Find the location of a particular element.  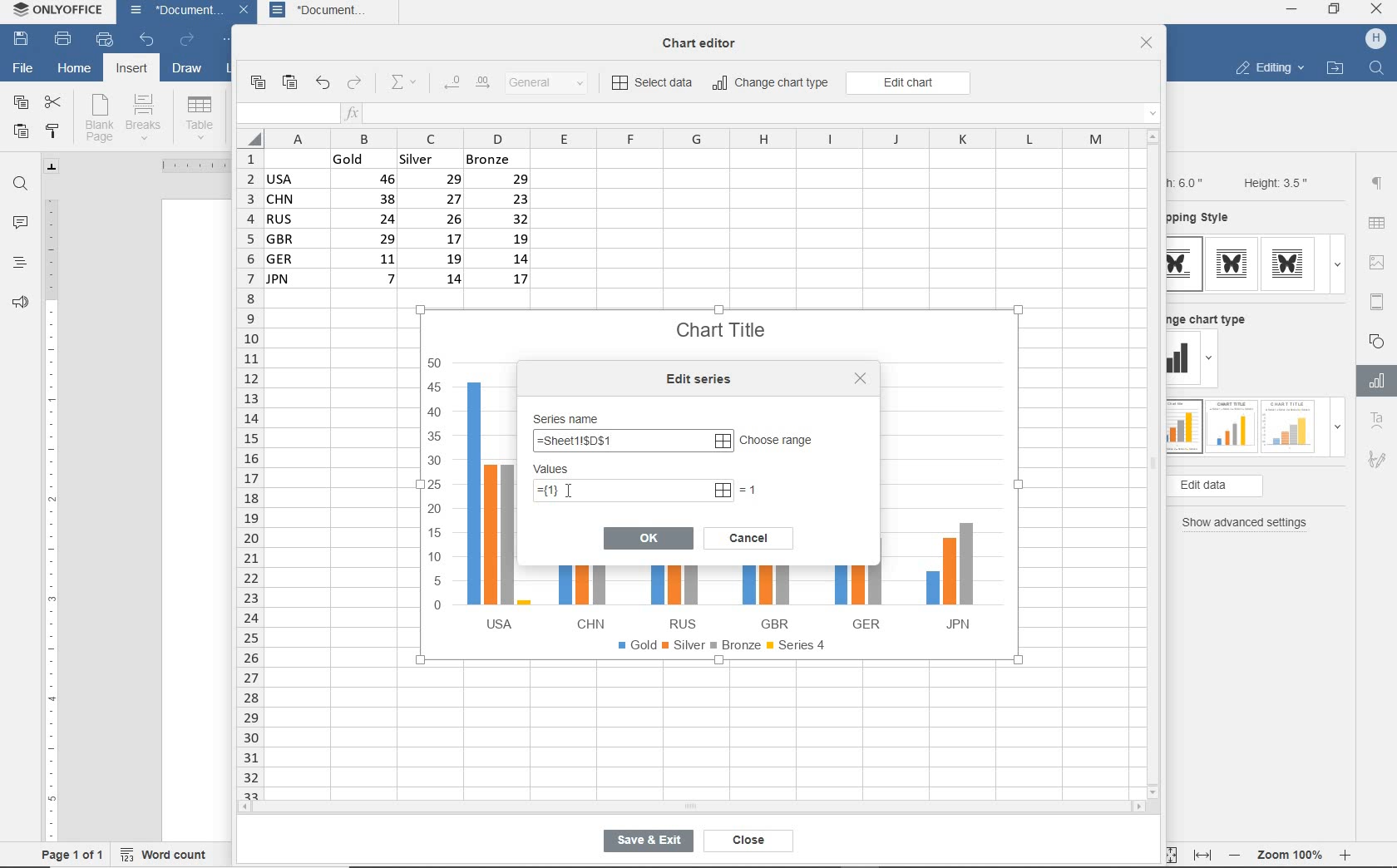

minimize is located at coordinates (1292, 9).